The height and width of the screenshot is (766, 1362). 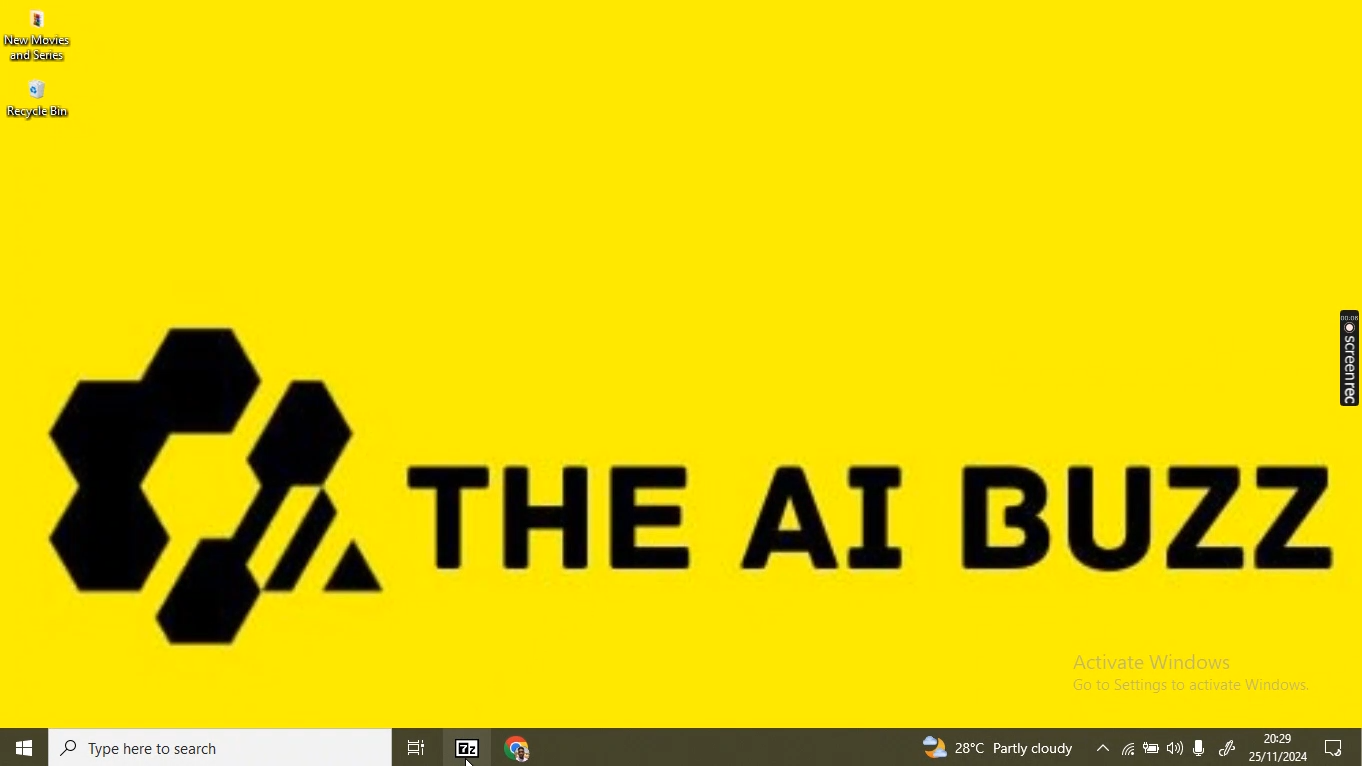 I want to click on screen recorder, so click(x=1347, y=357).